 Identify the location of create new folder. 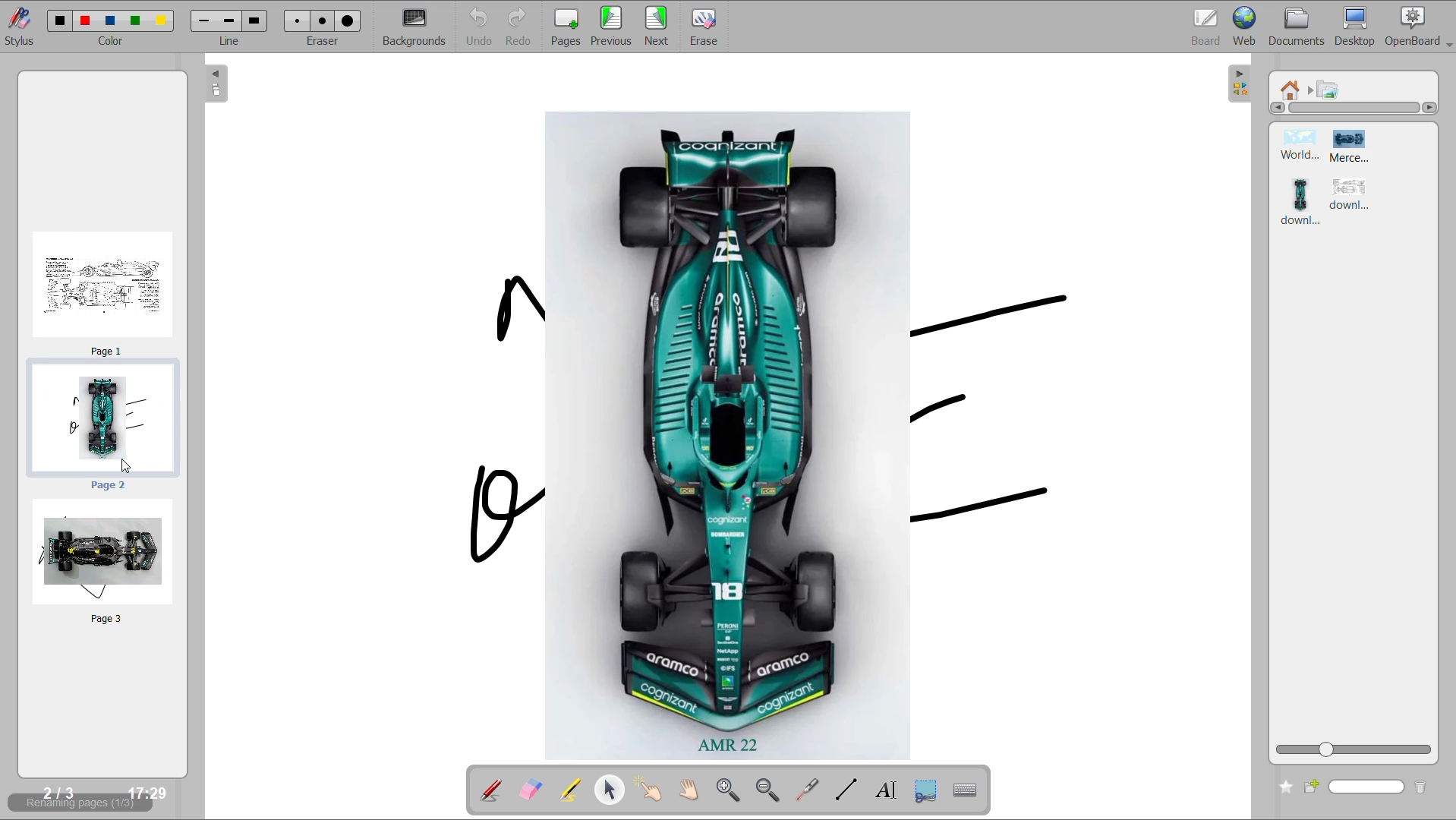
(1316, 784).